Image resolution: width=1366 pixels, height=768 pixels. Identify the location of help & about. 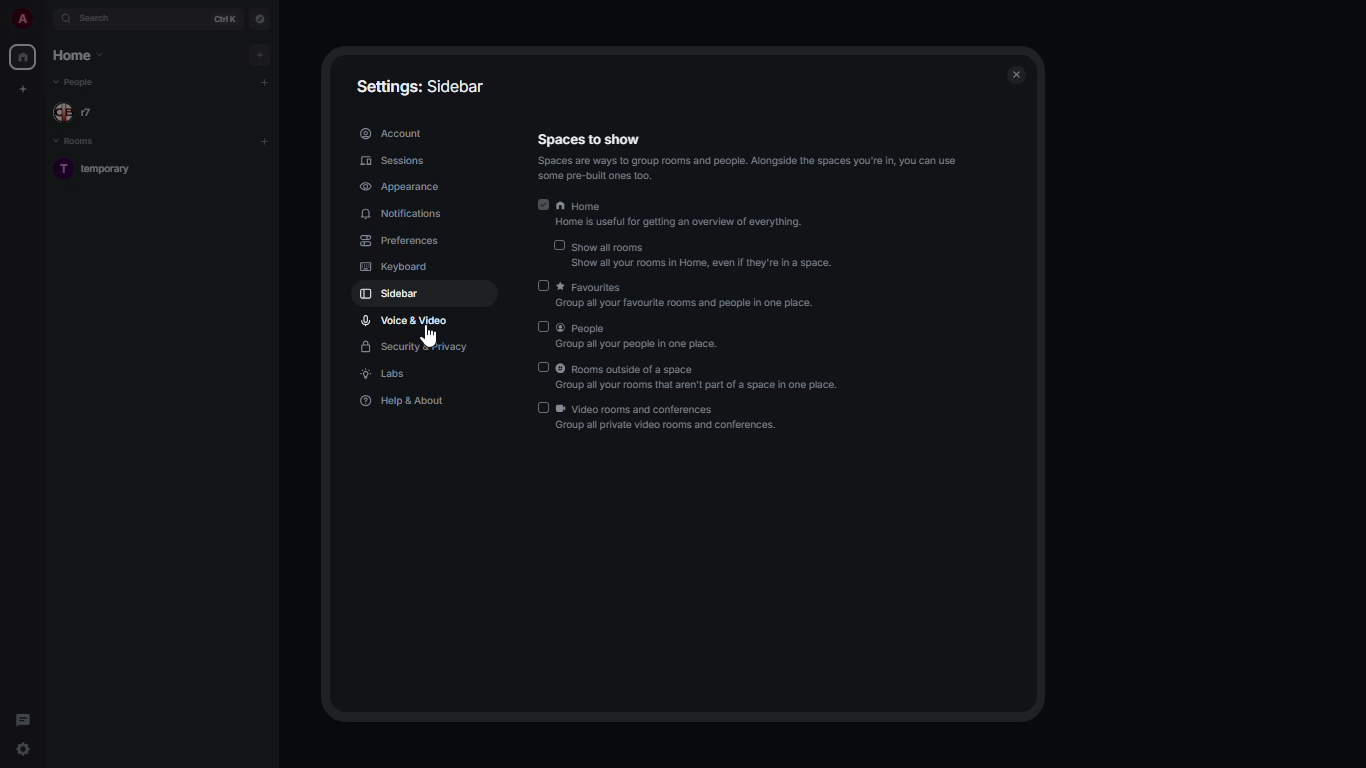
(404, 401).